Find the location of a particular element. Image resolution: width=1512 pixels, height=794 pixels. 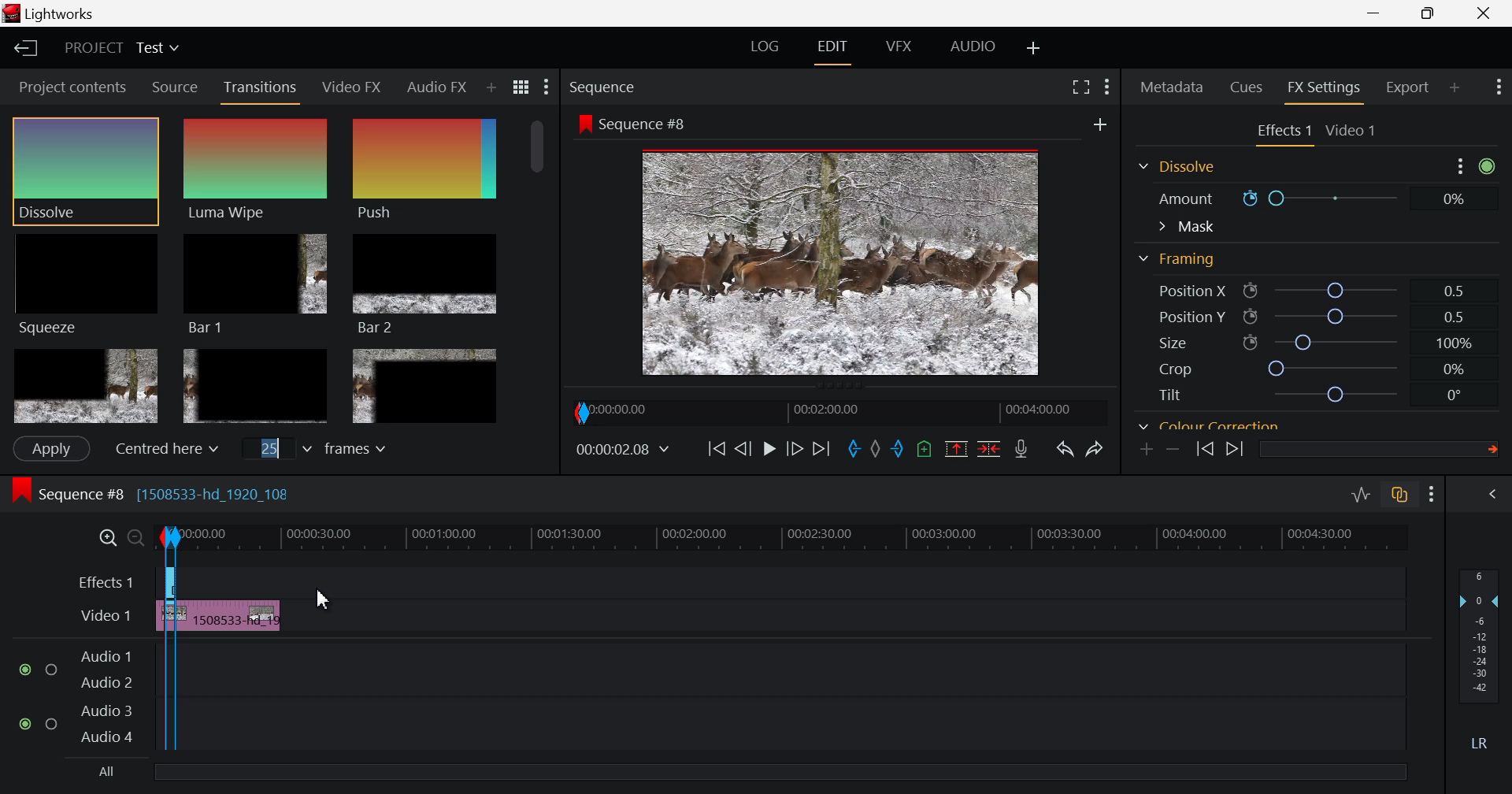

LOG is located at coordinates (765, 49).